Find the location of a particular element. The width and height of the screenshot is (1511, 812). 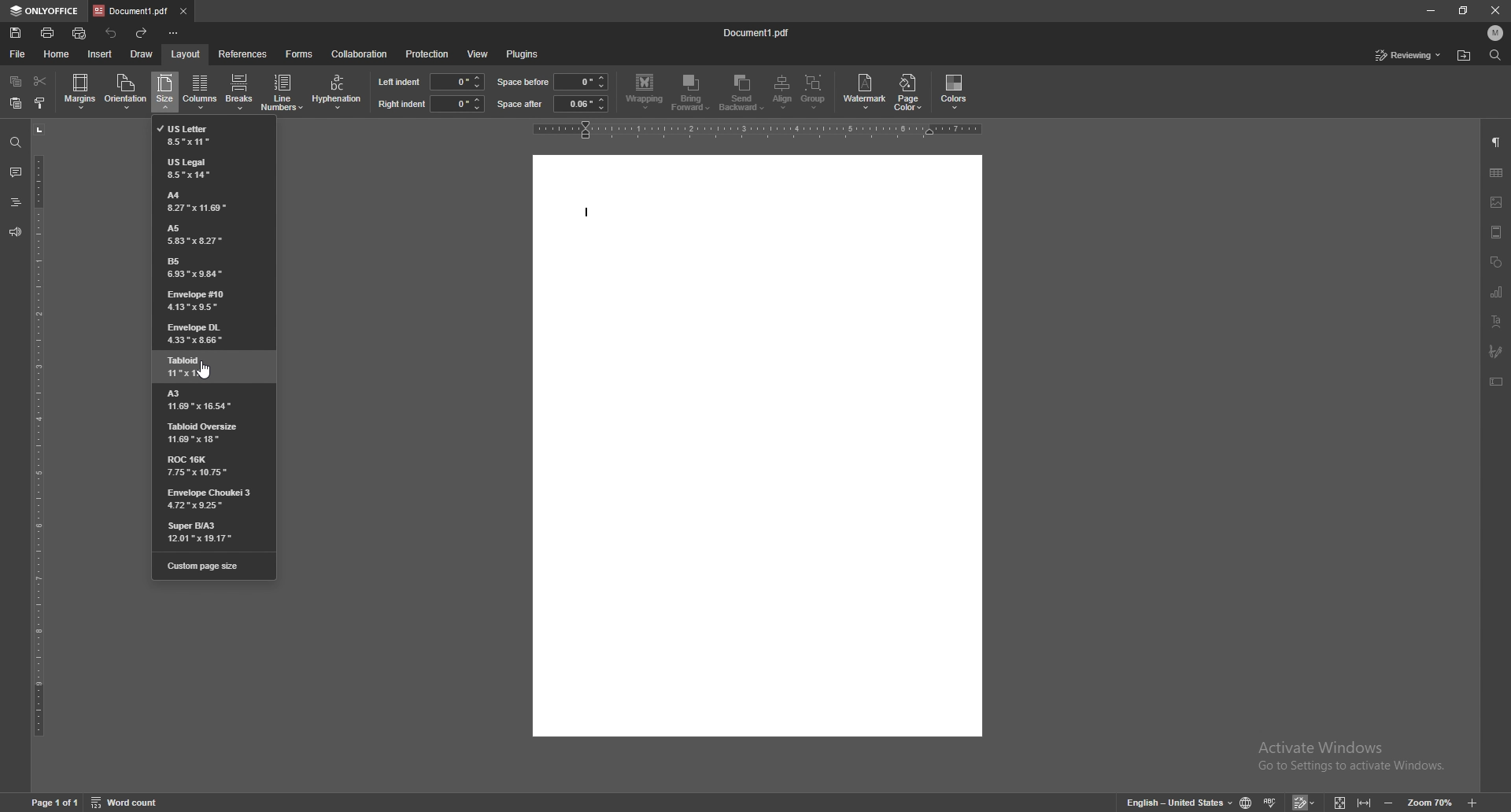

headings is located at coordinates (15, 202).